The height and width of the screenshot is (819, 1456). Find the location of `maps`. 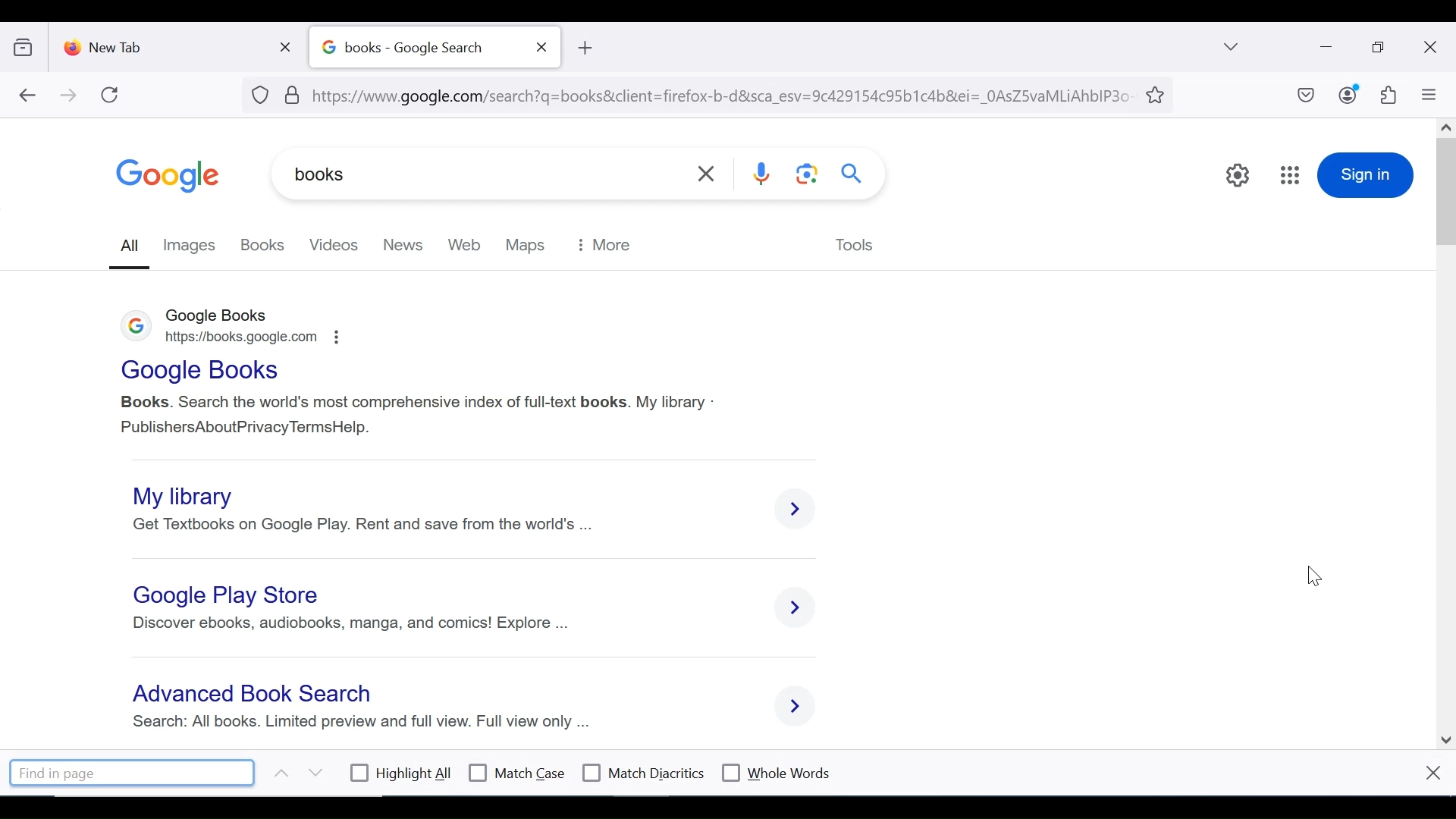

maps is located at coordinates (527, 244).